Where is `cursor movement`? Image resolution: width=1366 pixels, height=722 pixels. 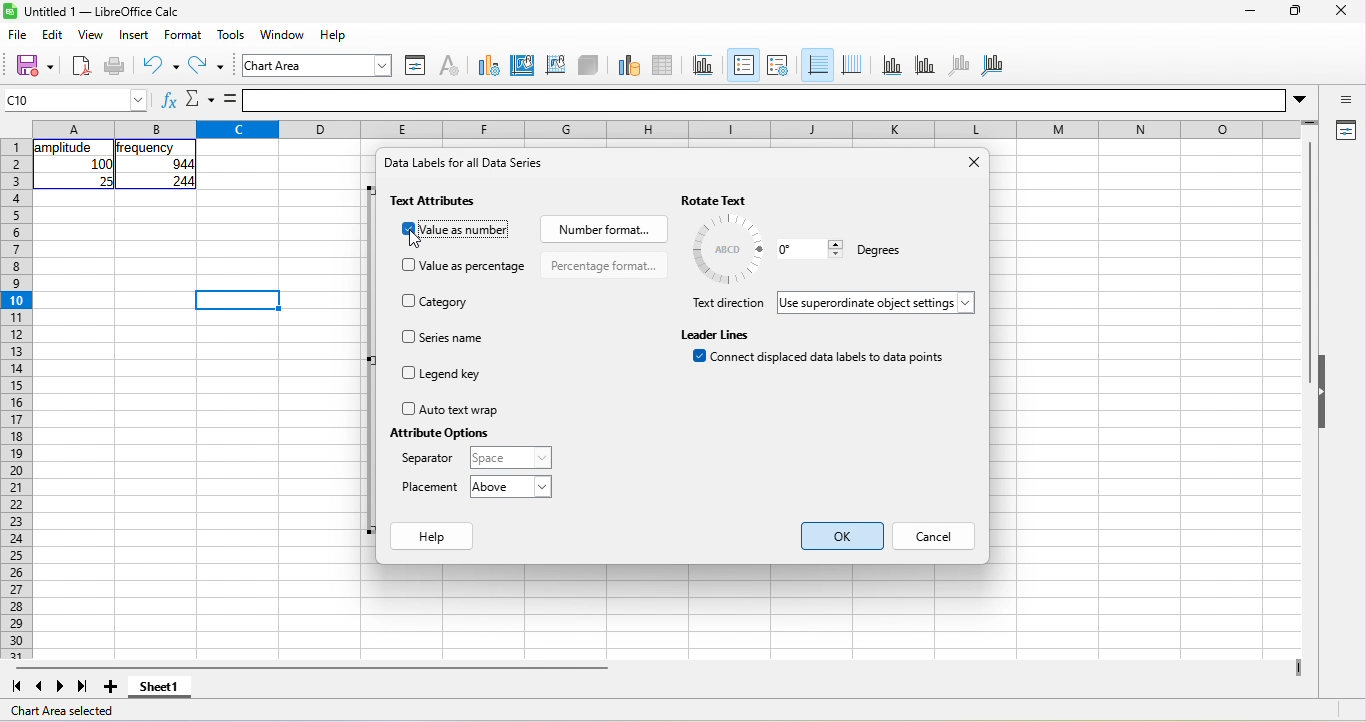 cursor movement is located at coordinates (421, 238).